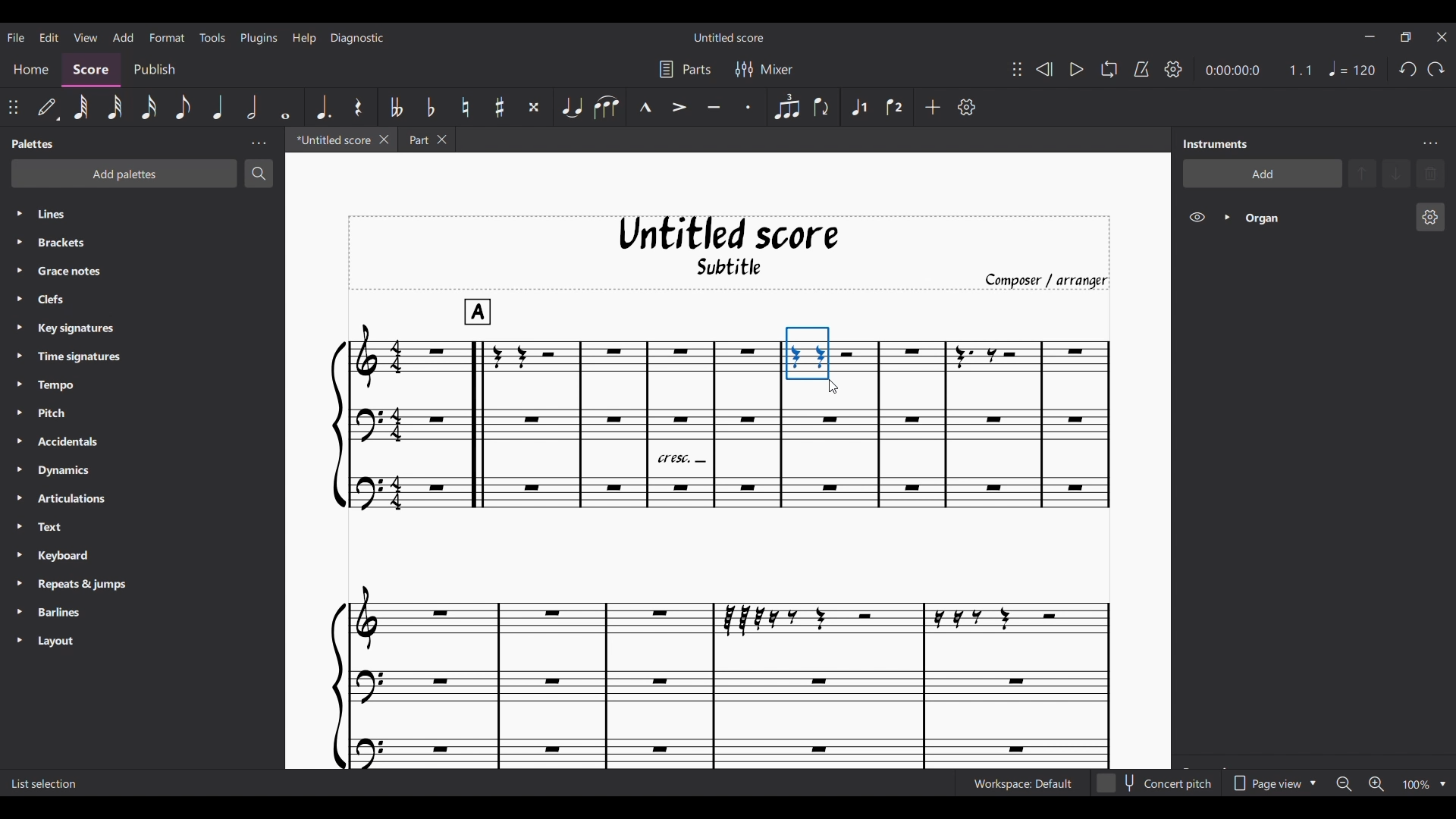  I want to click on Organ instrument, so click(1323, 218).